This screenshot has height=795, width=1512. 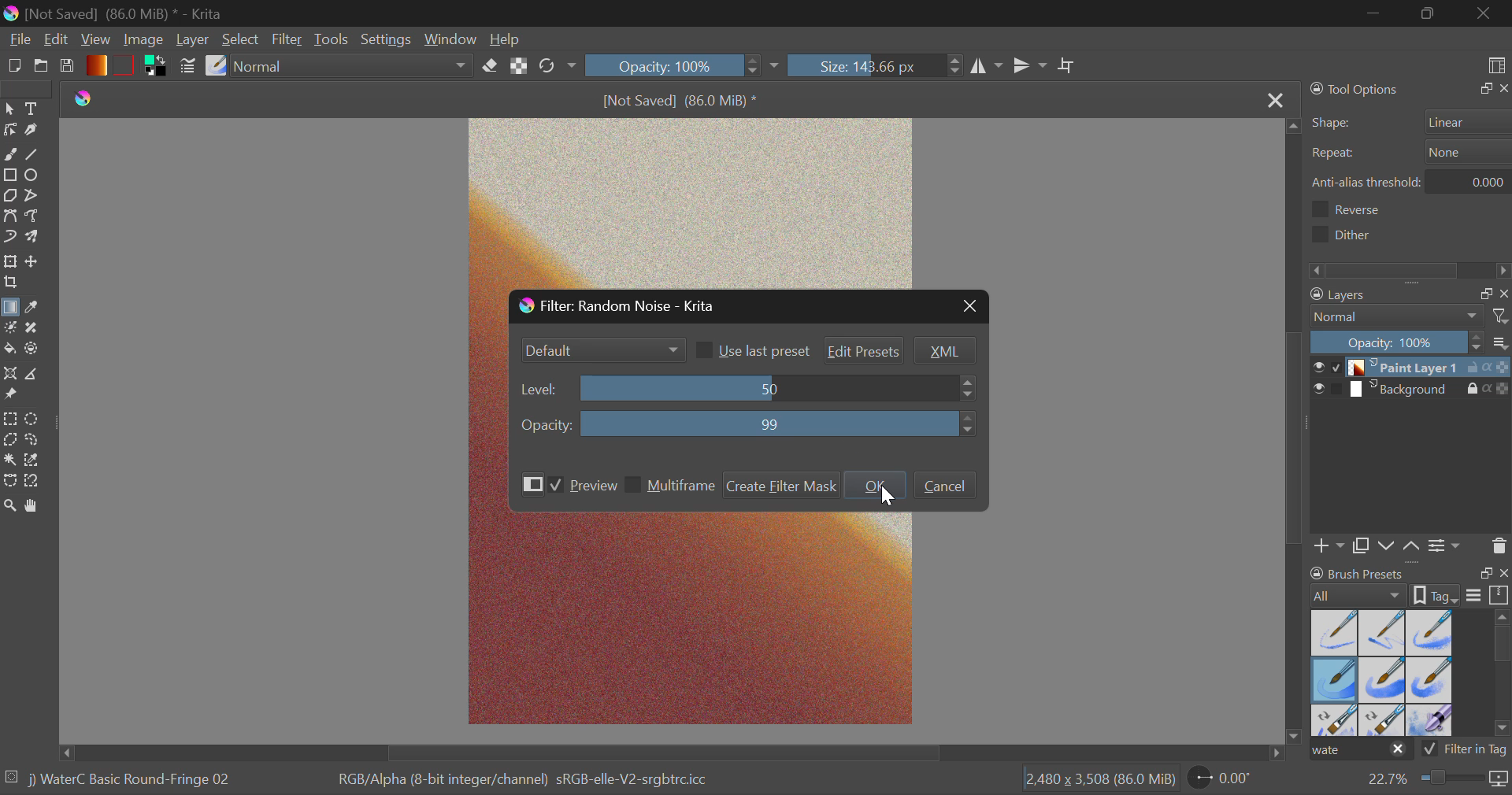 I want to click on Select, so click(x=240, y=38).